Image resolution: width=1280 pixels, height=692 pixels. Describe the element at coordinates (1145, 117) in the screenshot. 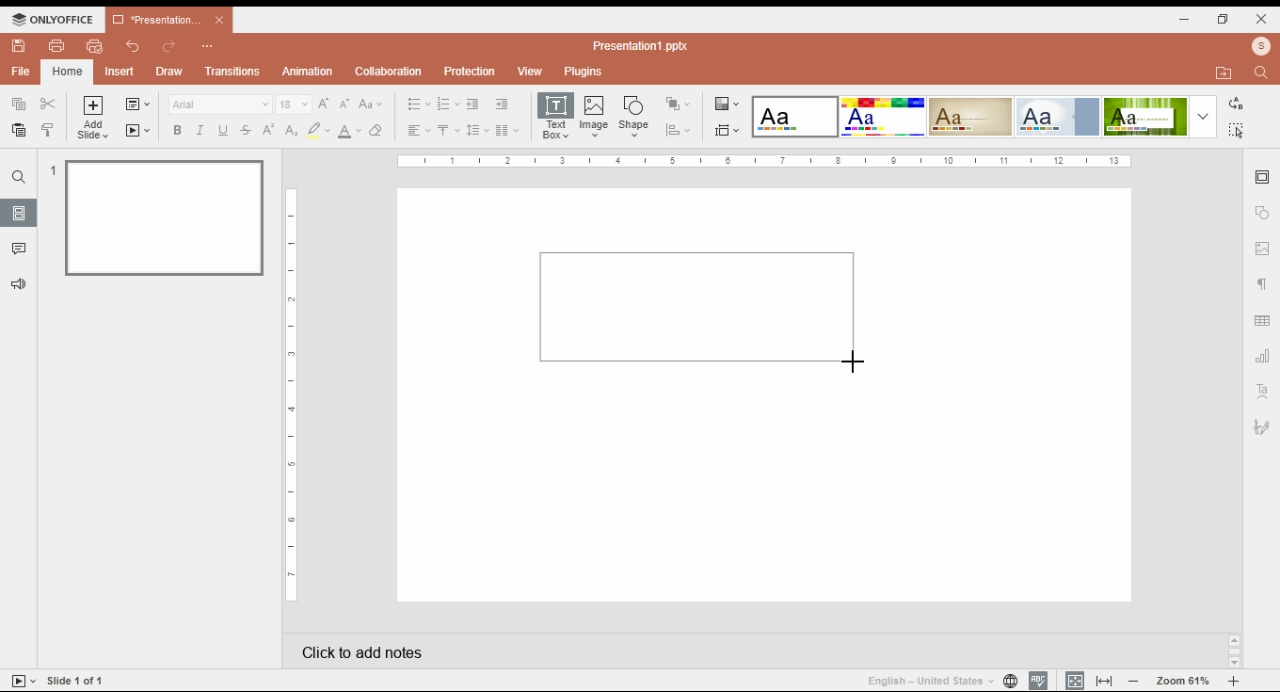

I see `color theme` at that location.